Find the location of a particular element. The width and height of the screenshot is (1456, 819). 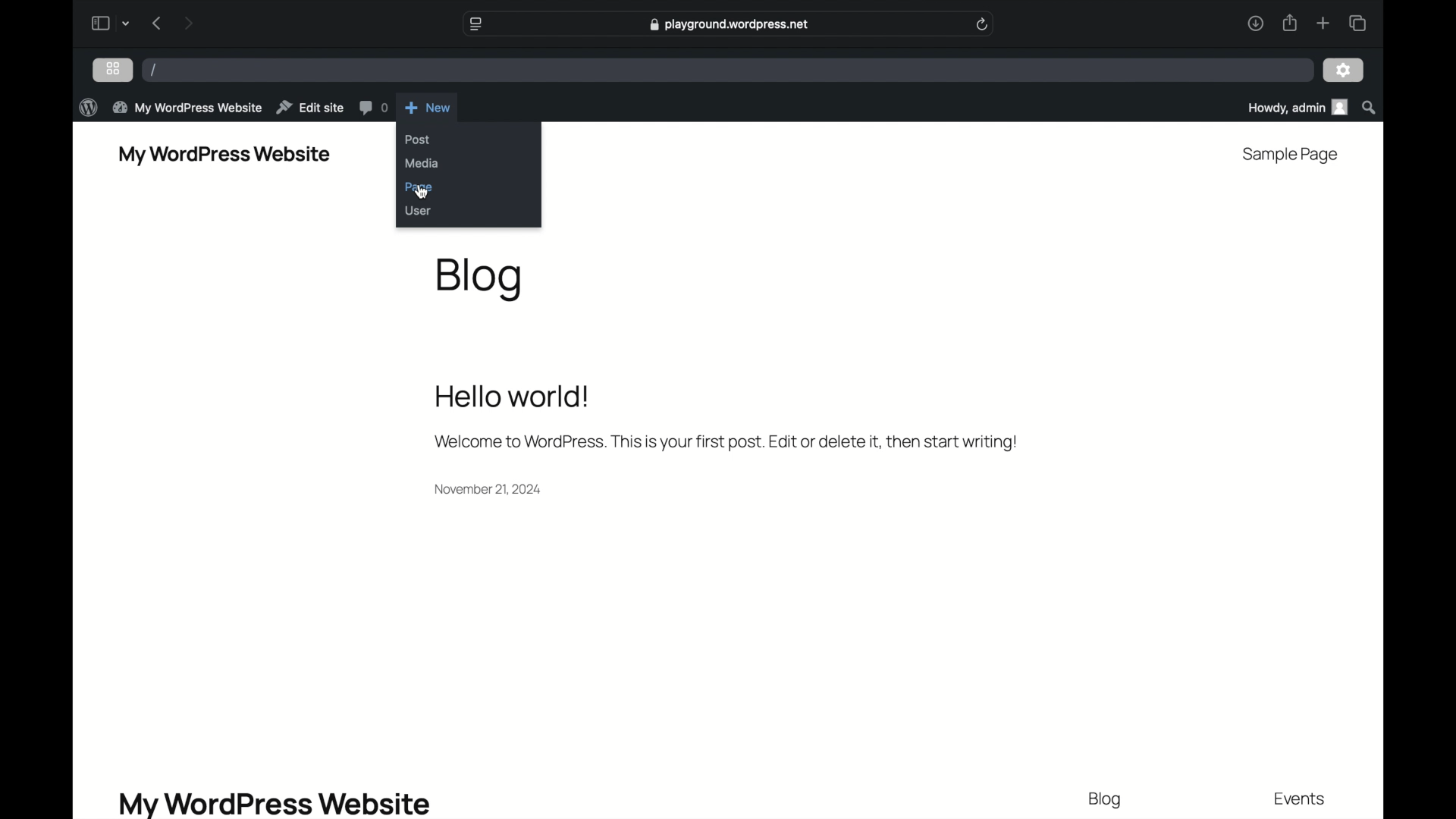

comments is located at coordinates (375, 108).